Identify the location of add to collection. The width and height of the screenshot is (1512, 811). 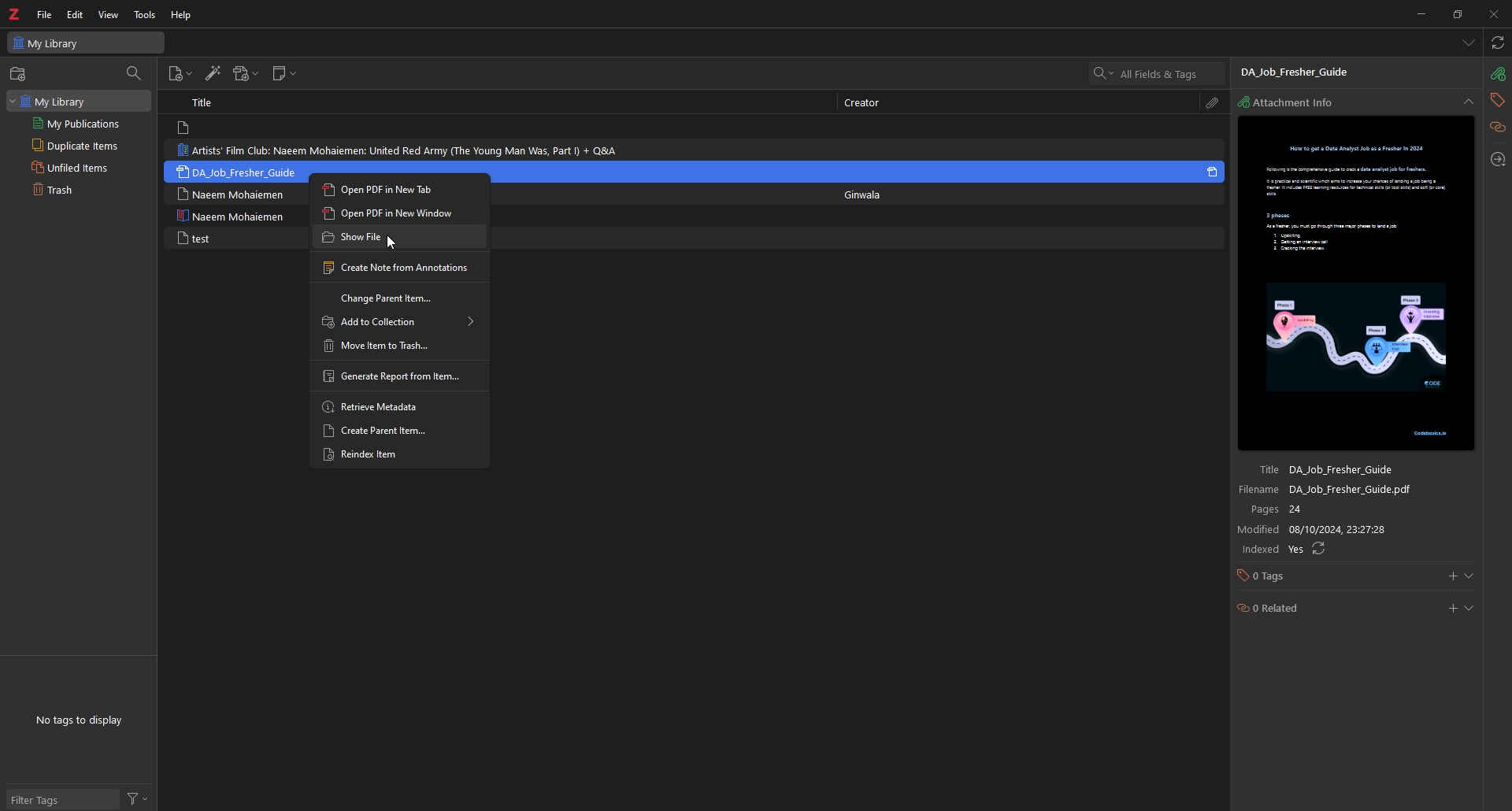
(401, 322).